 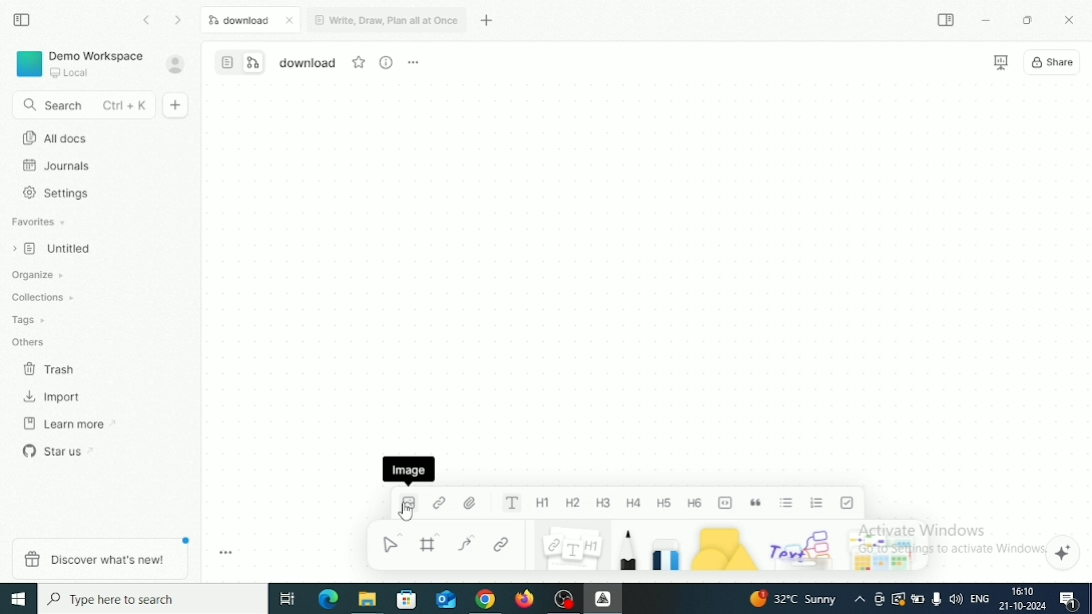 I want to click on Eraser, so click(x=667, y=548).